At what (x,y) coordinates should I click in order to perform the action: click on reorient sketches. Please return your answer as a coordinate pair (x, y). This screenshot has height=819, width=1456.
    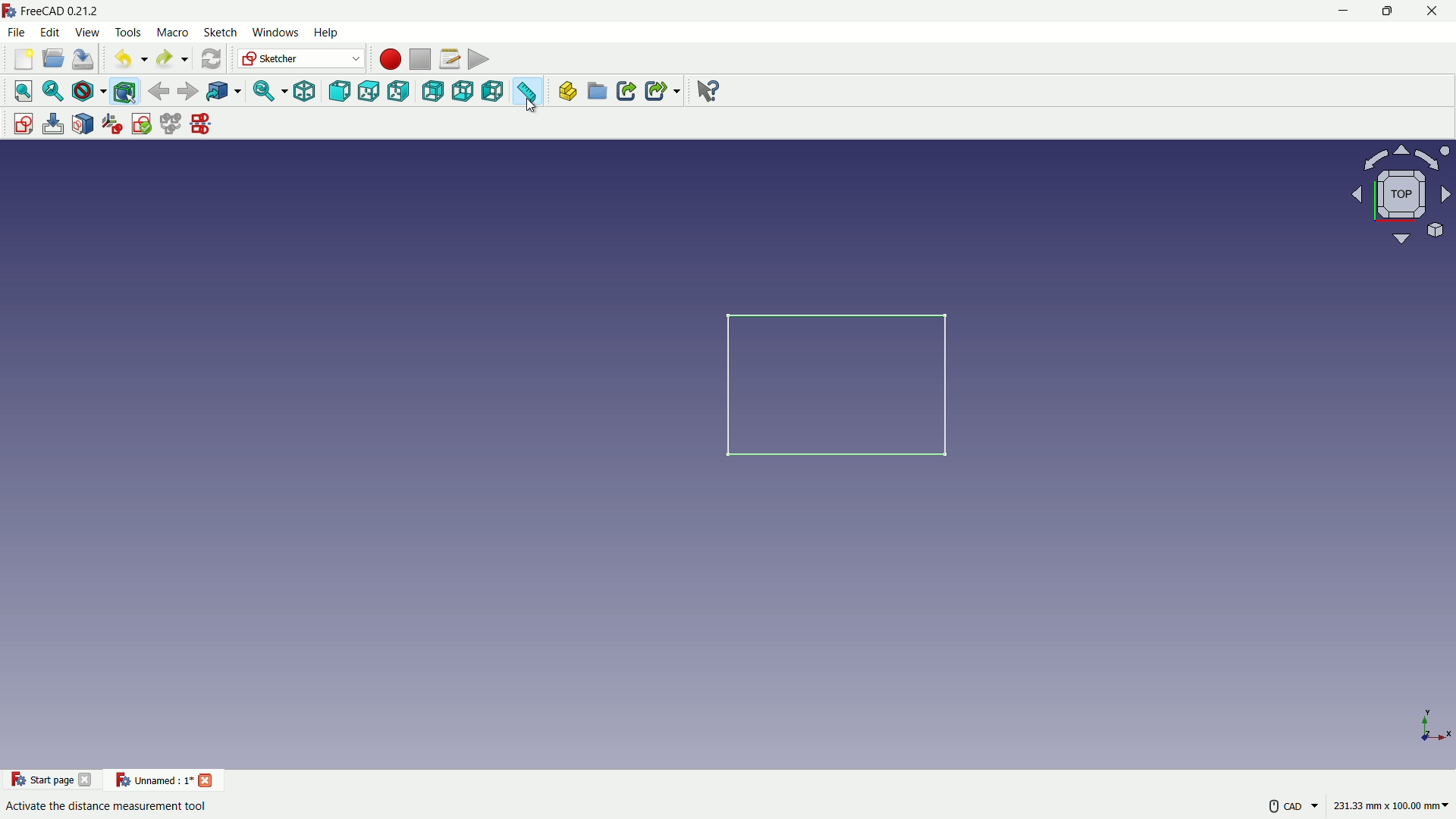
    Looking at the image, I should click on (115, 124).